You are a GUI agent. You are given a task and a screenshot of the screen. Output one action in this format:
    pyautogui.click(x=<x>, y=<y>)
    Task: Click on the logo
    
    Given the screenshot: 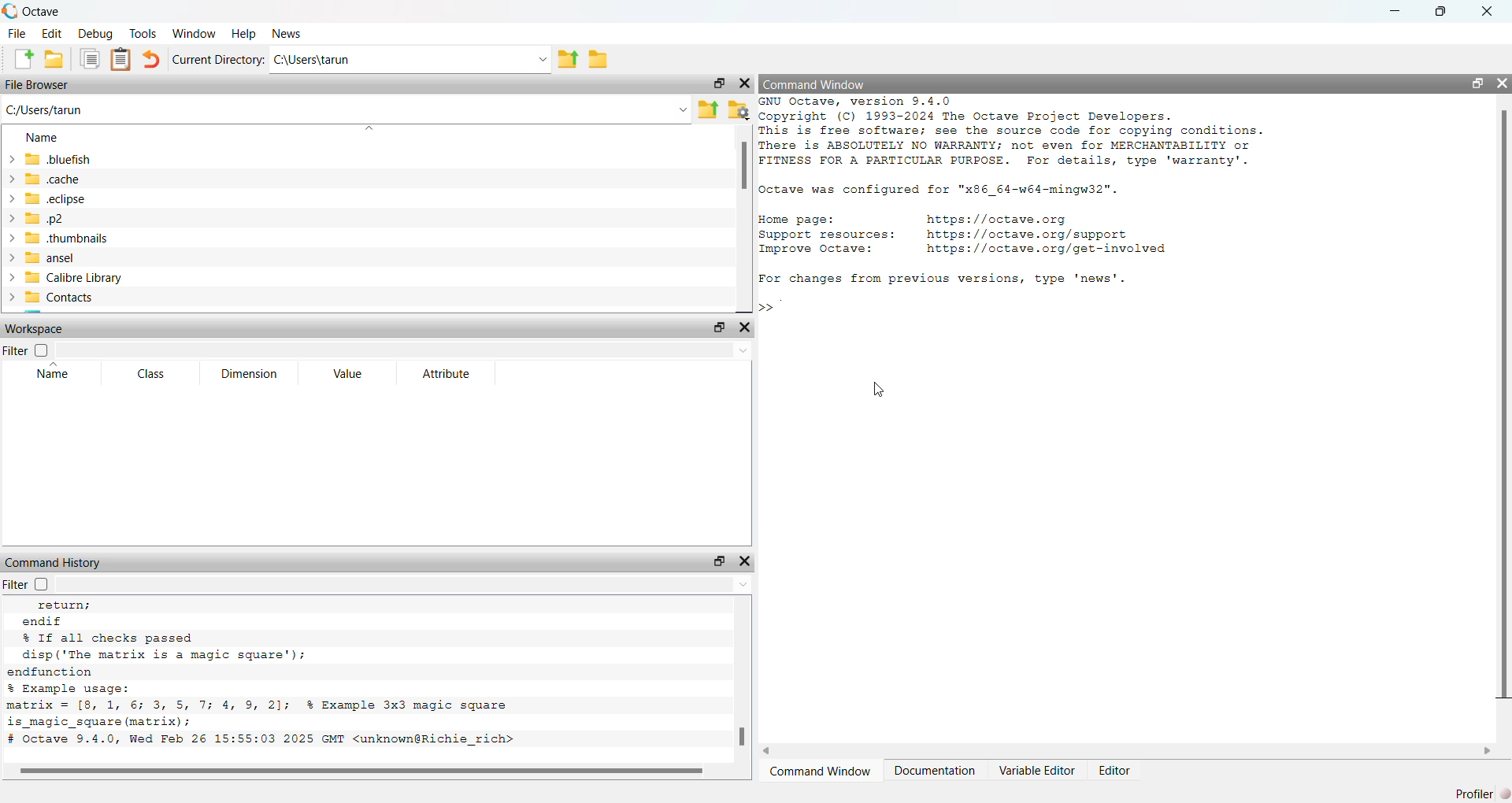 What is the action you would take?
    pyautogui.click(x=10, y=10)
    